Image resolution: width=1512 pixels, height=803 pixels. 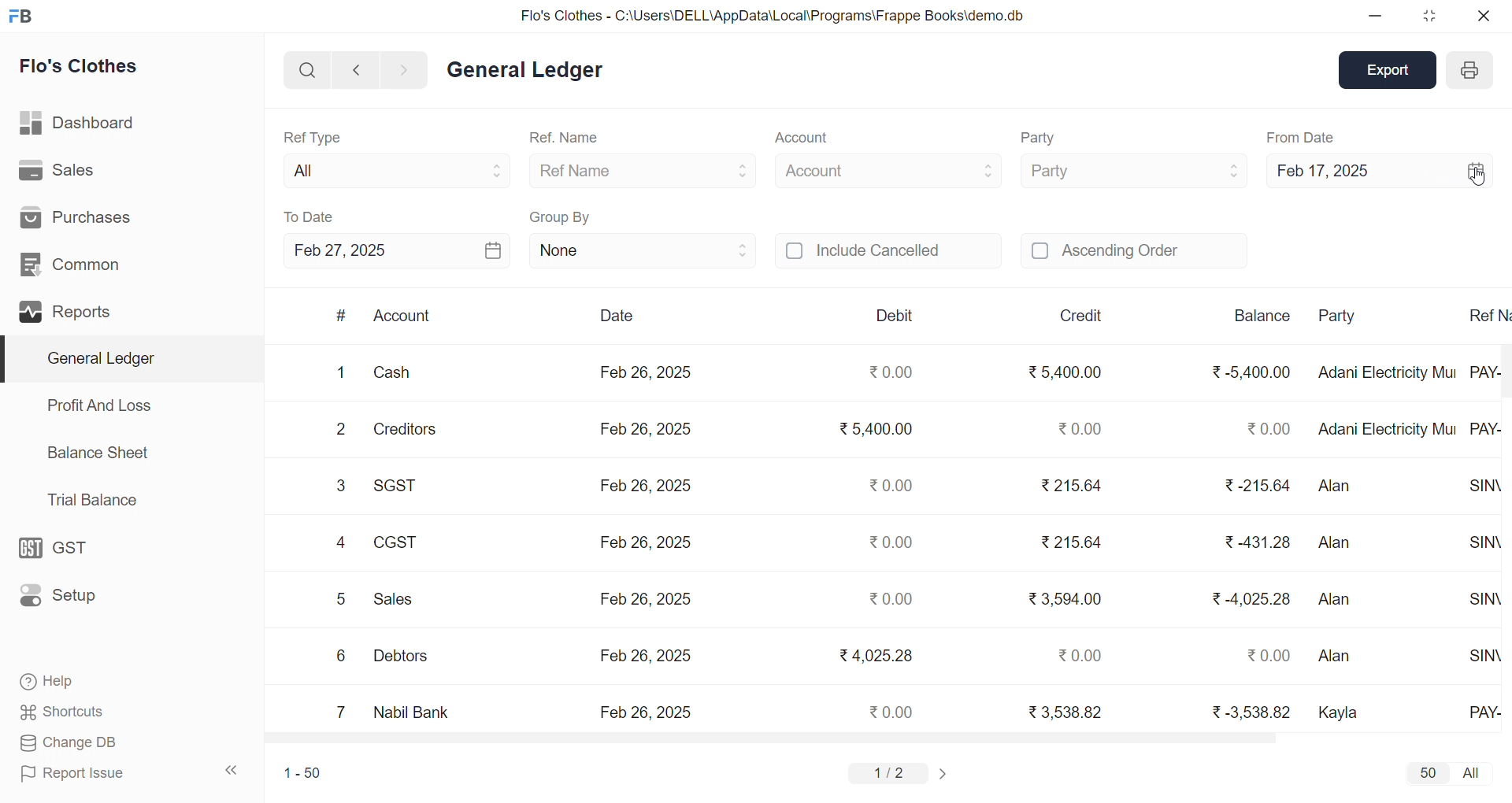 I want to click on Change DB, so click(x=66, y=742).